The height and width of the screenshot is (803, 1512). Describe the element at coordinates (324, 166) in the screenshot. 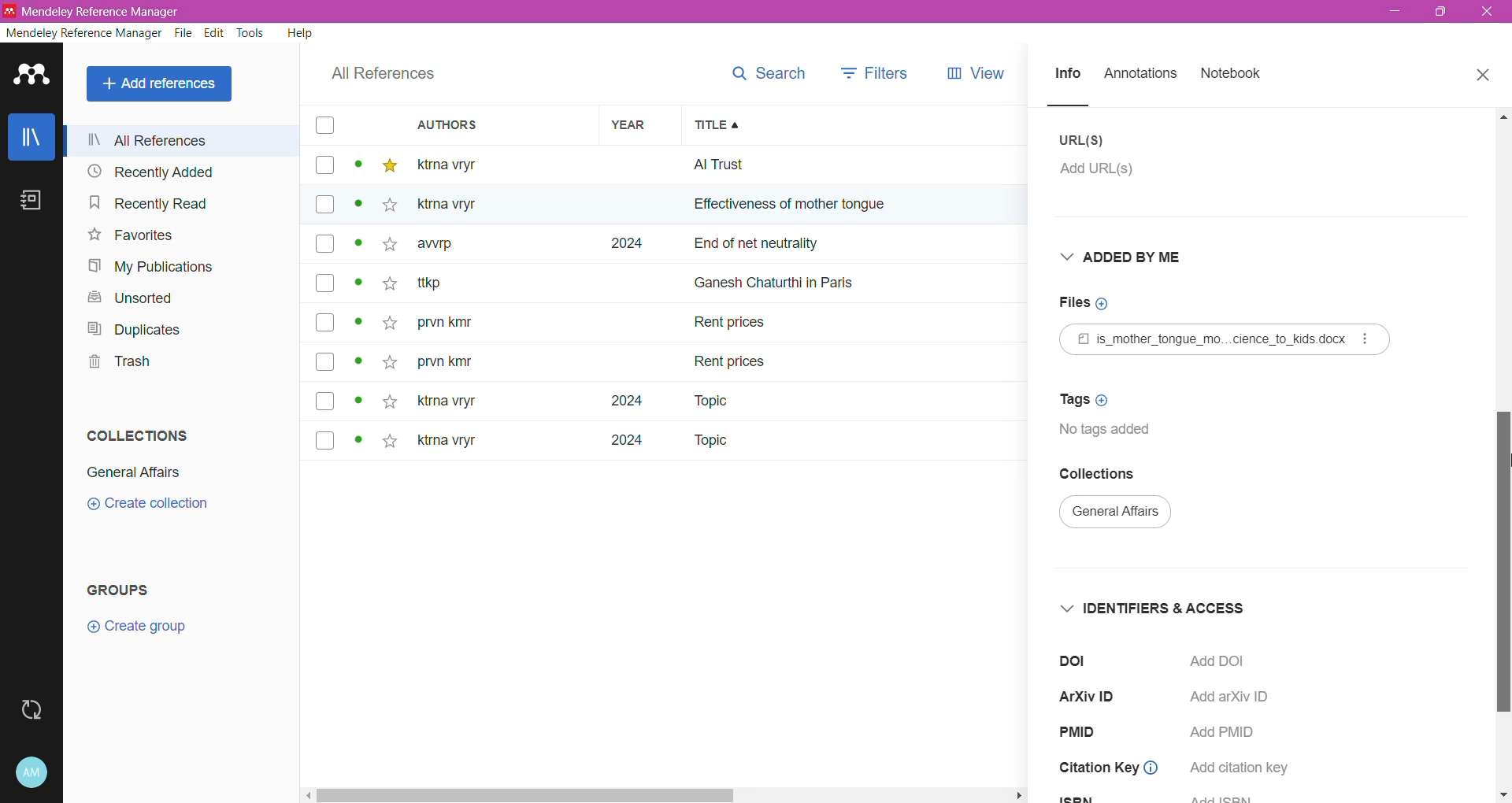

I see `box` at that location.